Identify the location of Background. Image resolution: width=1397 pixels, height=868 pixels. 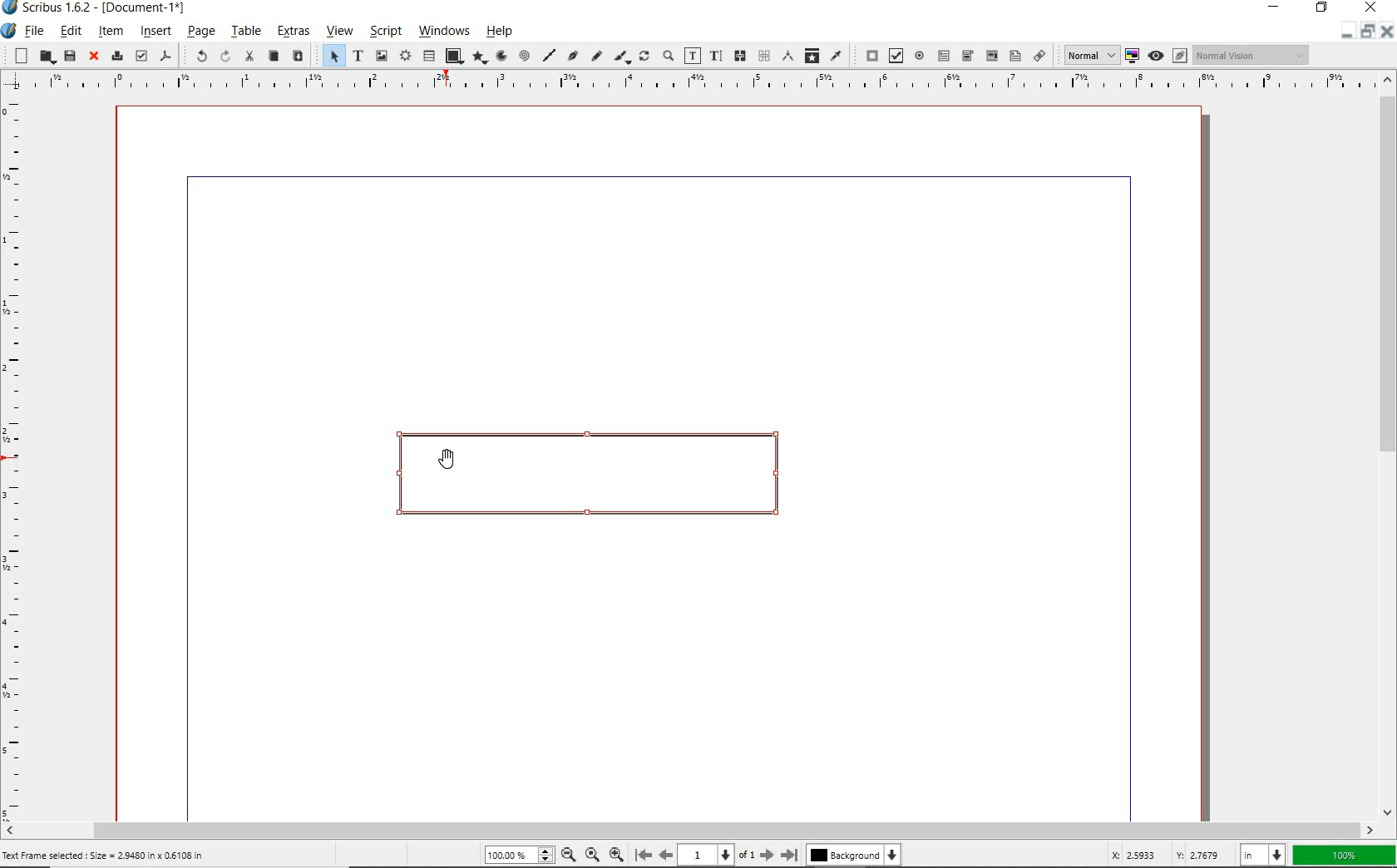
(855, 856).